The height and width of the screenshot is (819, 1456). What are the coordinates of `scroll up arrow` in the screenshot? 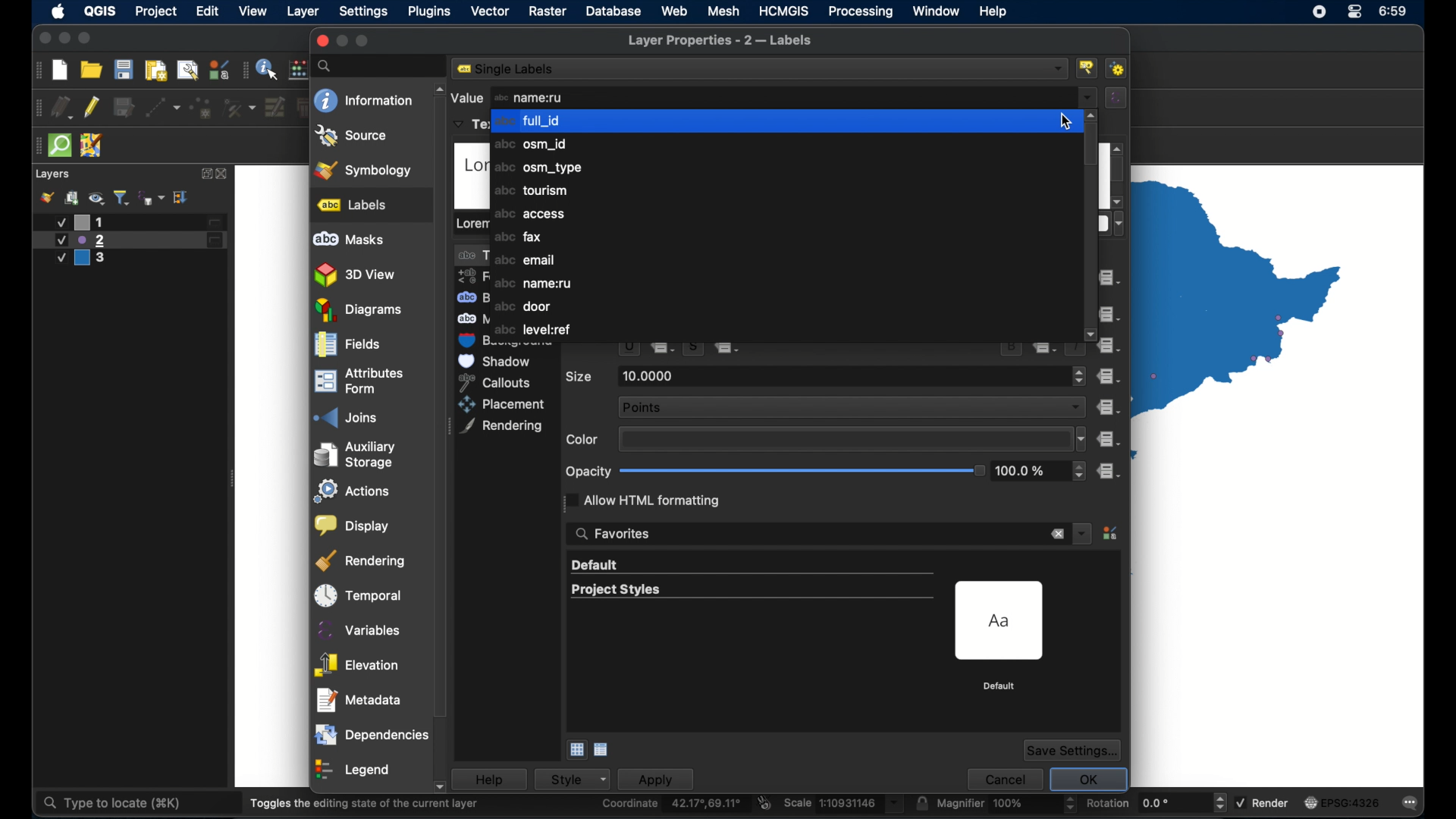 It's located at (1119, 149).